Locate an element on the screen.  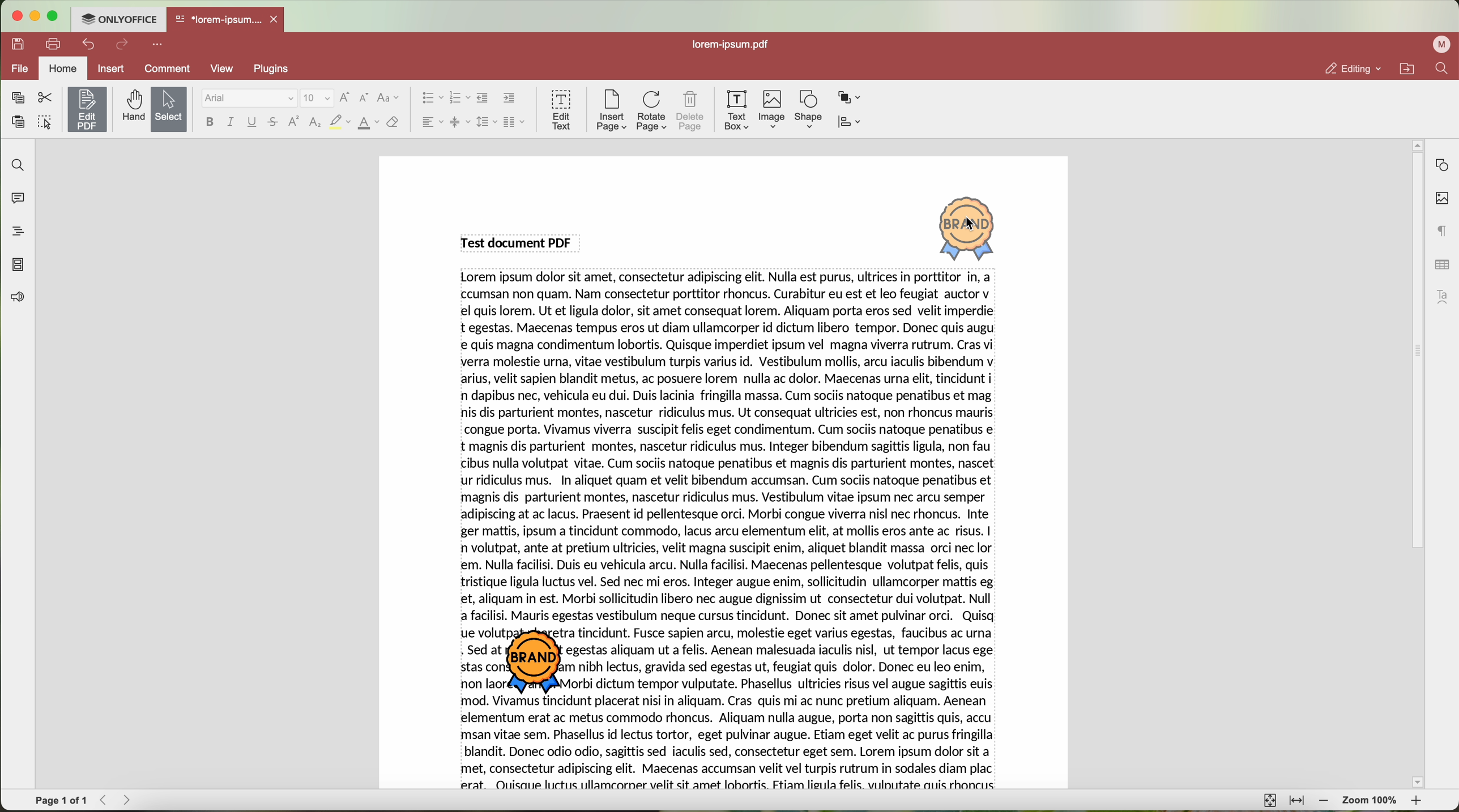
lorem-ipsum.pdf is located at coordinates (735, 44).